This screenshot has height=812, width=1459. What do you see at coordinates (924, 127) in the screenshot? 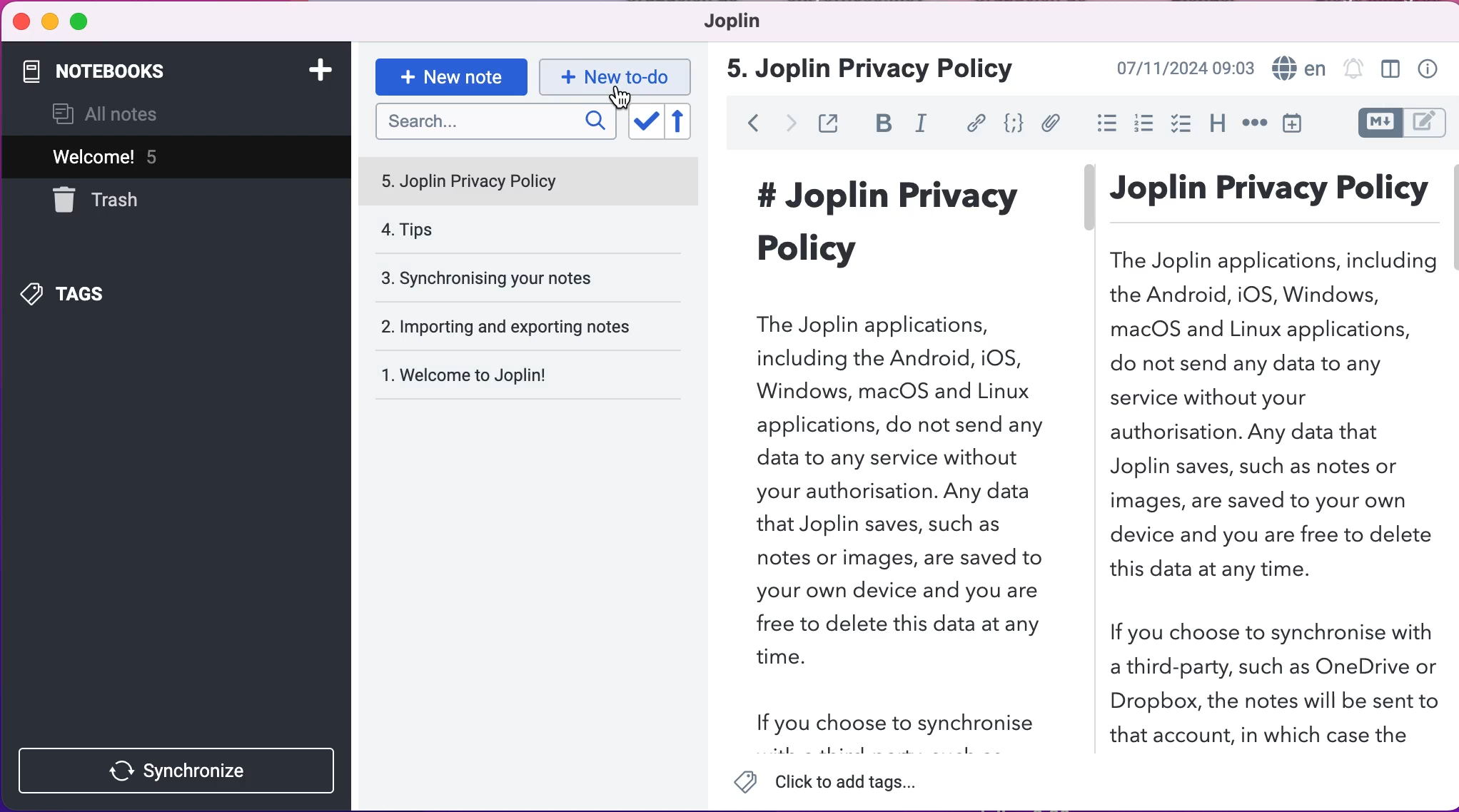
I see `italic` at bounding box center [924, 127].